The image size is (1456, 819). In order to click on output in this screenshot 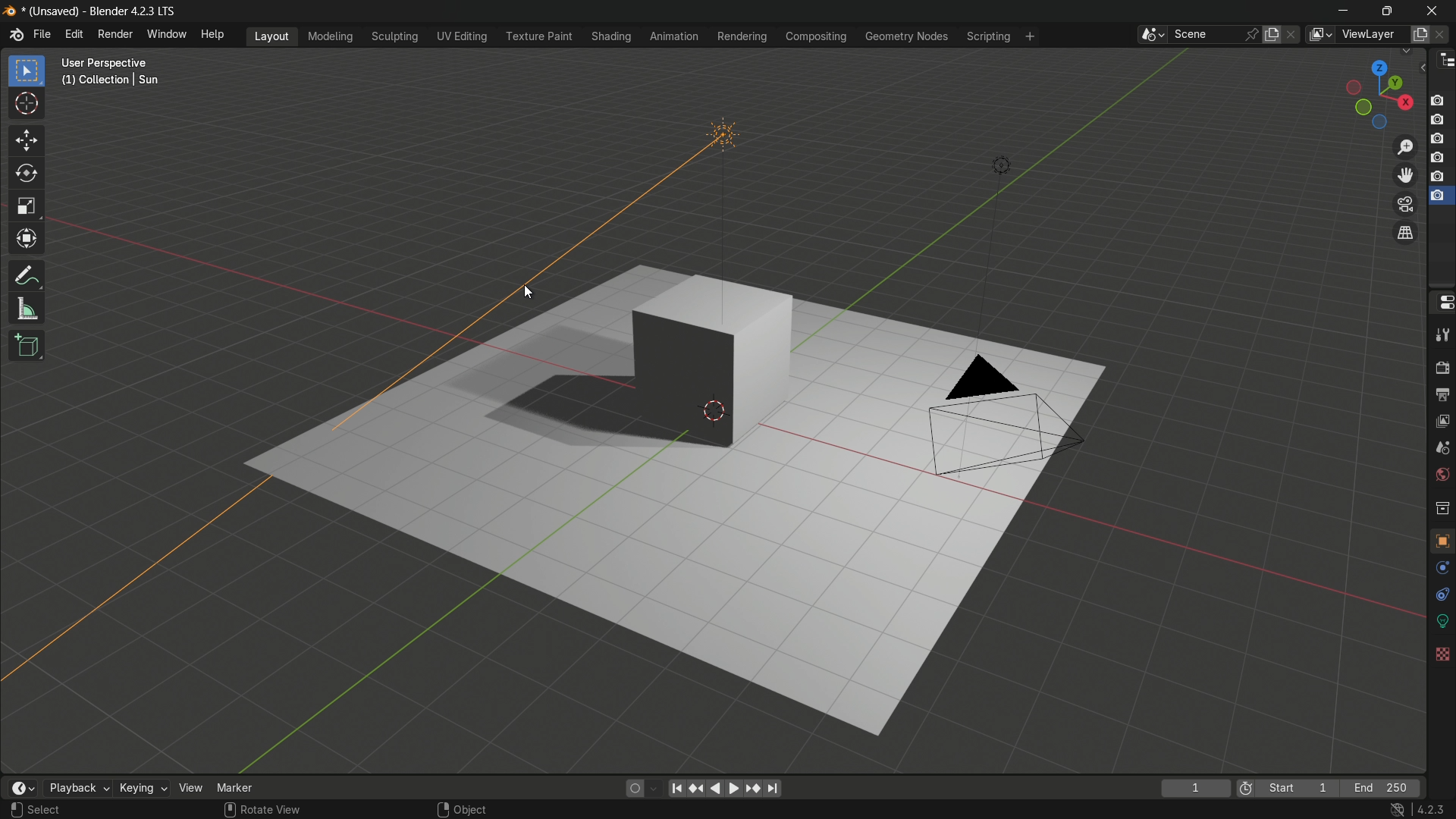, I will do `click(1442, 395)`.